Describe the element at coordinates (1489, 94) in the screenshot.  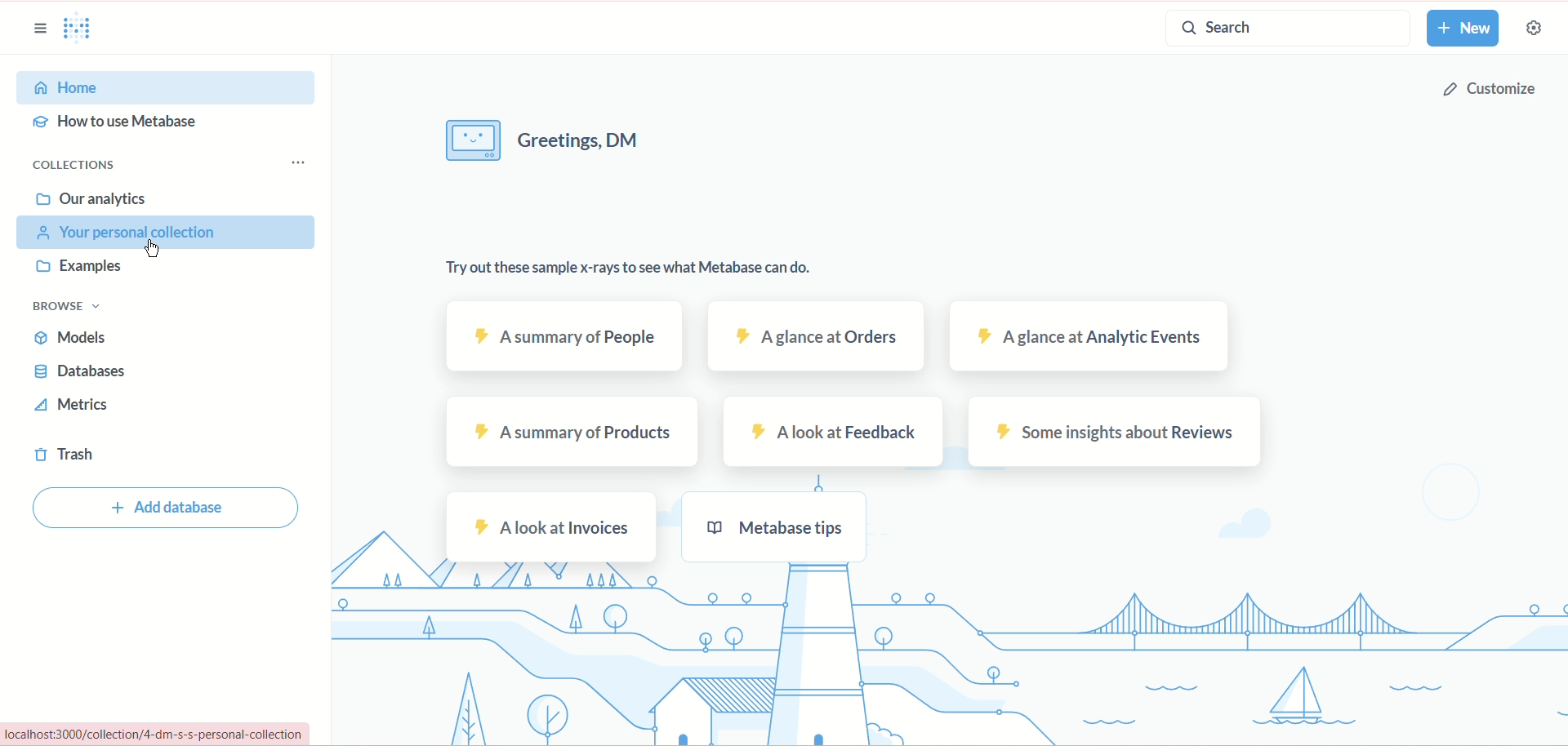
I see `customize` at that location.